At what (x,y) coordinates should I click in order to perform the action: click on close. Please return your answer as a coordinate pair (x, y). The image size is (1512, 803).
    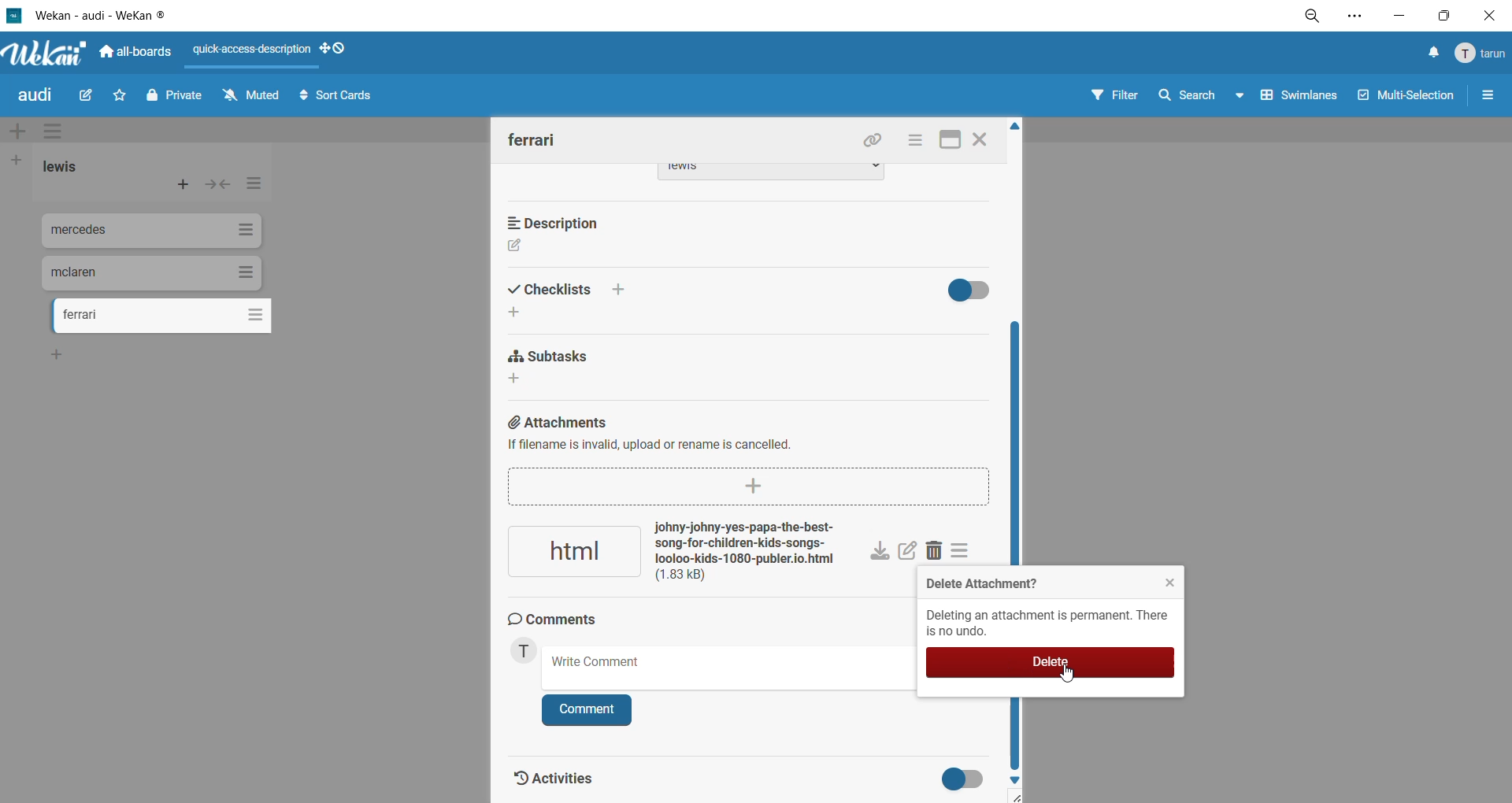
    Looking at the image, I should click on (1487, 15).